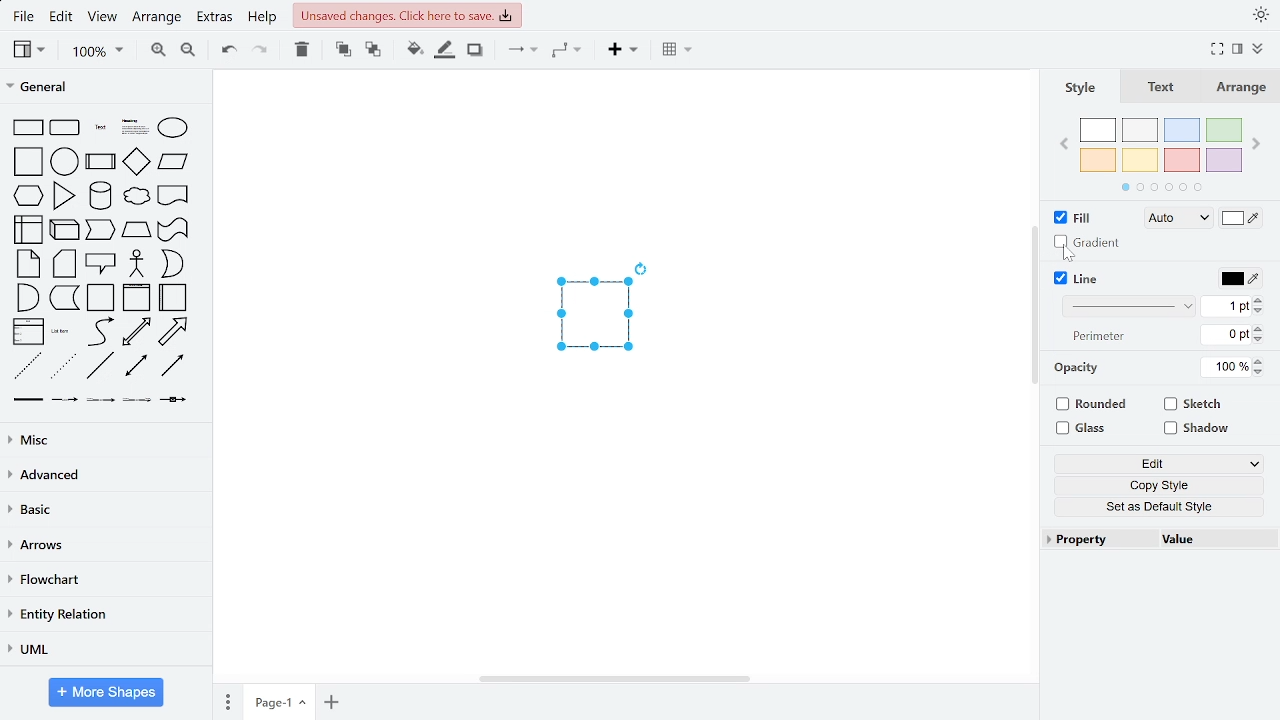 The width and height of the screenshot is (1280, 720). Describe the element at coordinates (1178, 219) in the screenshot. I see `fill style` at that location.